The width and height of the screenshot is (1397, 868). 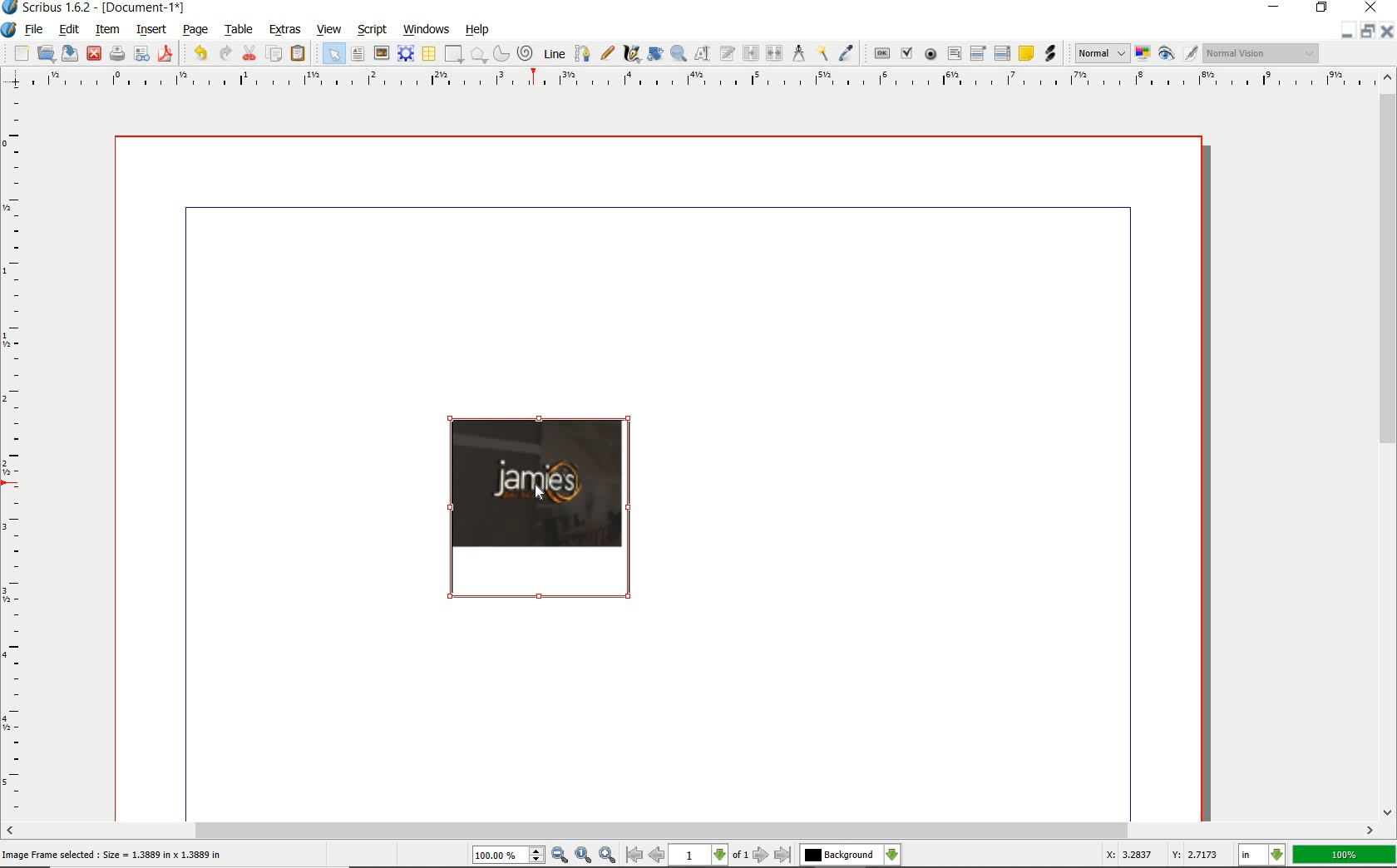 What do you see at coordinates (583, 54) in the screenshot?
I see `Bezier curve` at bounding box center [583, 54].